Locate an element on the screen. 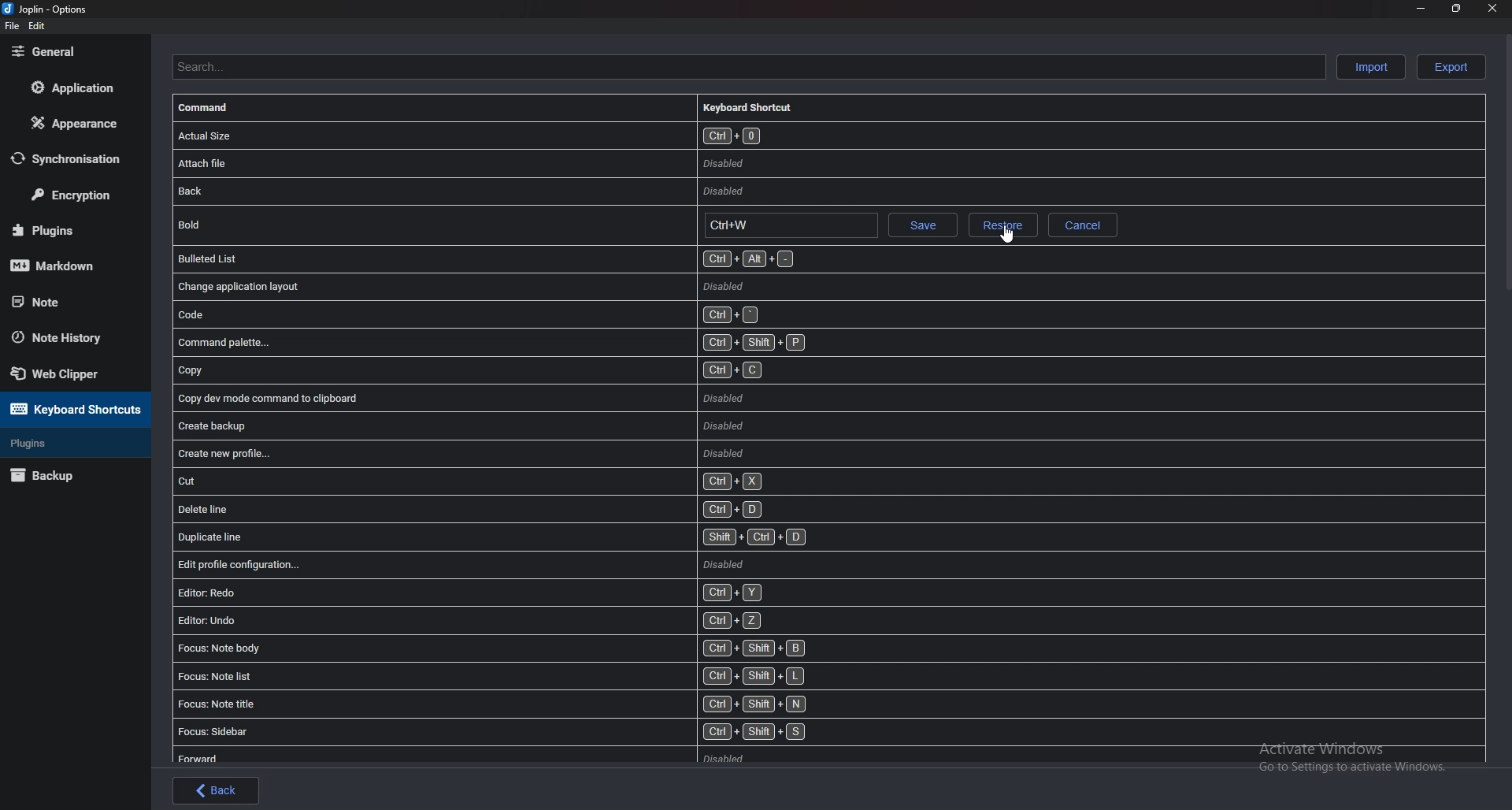 The width and height of the screenshot is (1512, 810). Delete line is located at coordinates (476, 510).